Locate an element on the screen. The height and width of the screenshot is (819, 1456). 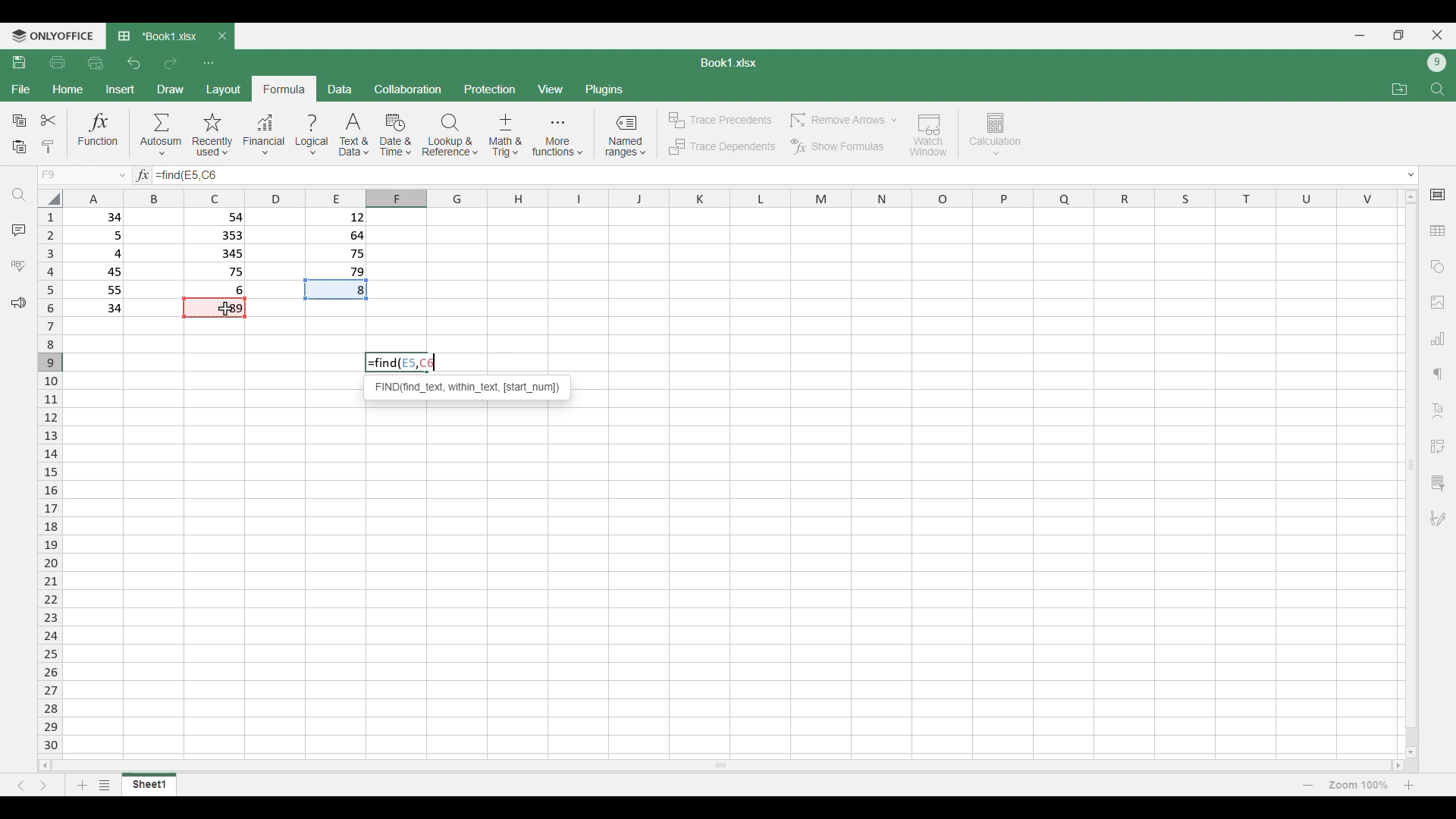
Comments is located at coordinates (19, 231).